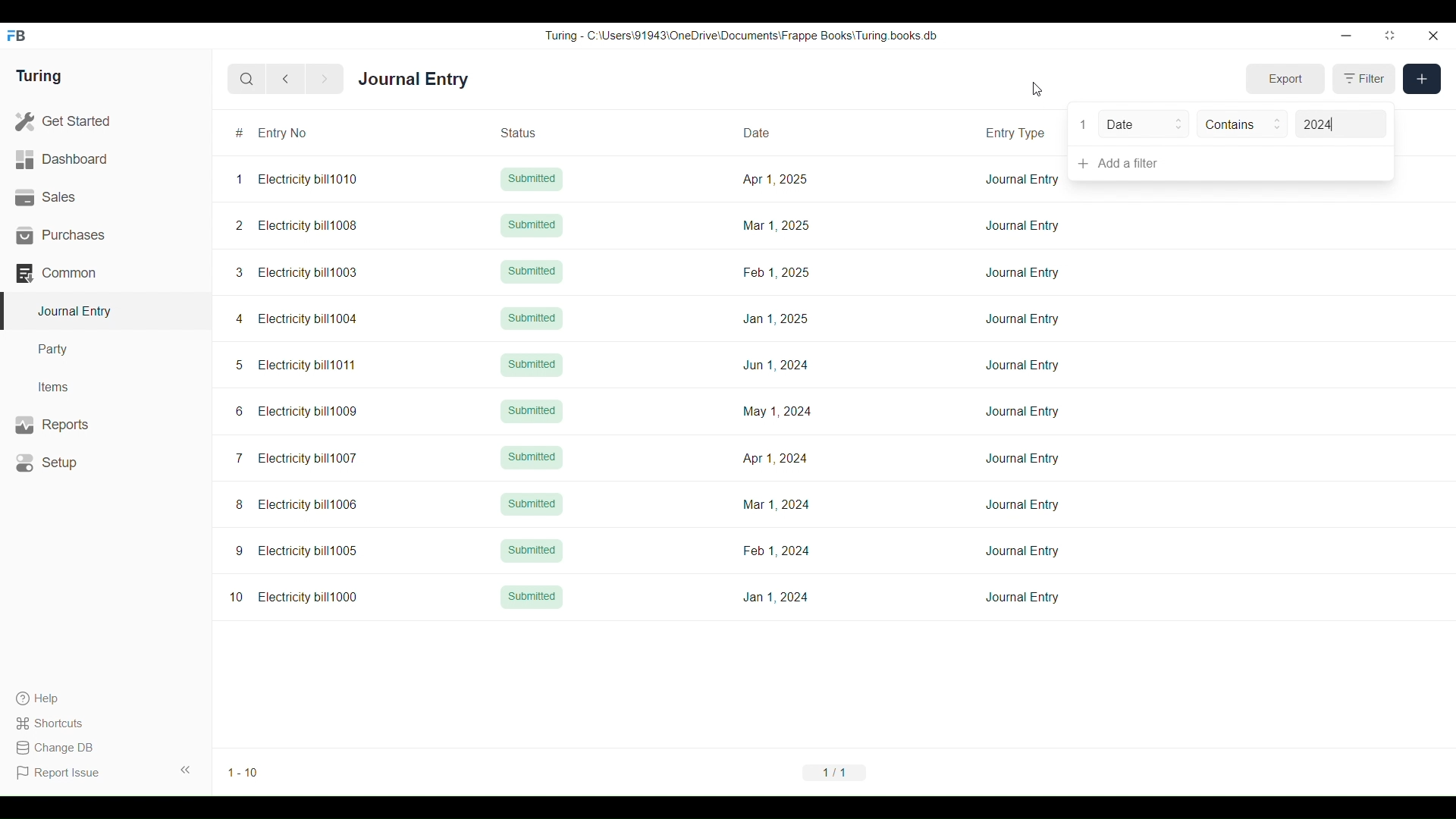  What do you see at coordinates (286, 79) in the screenshot?
I see `Previous` at bounding box center [286, 79].